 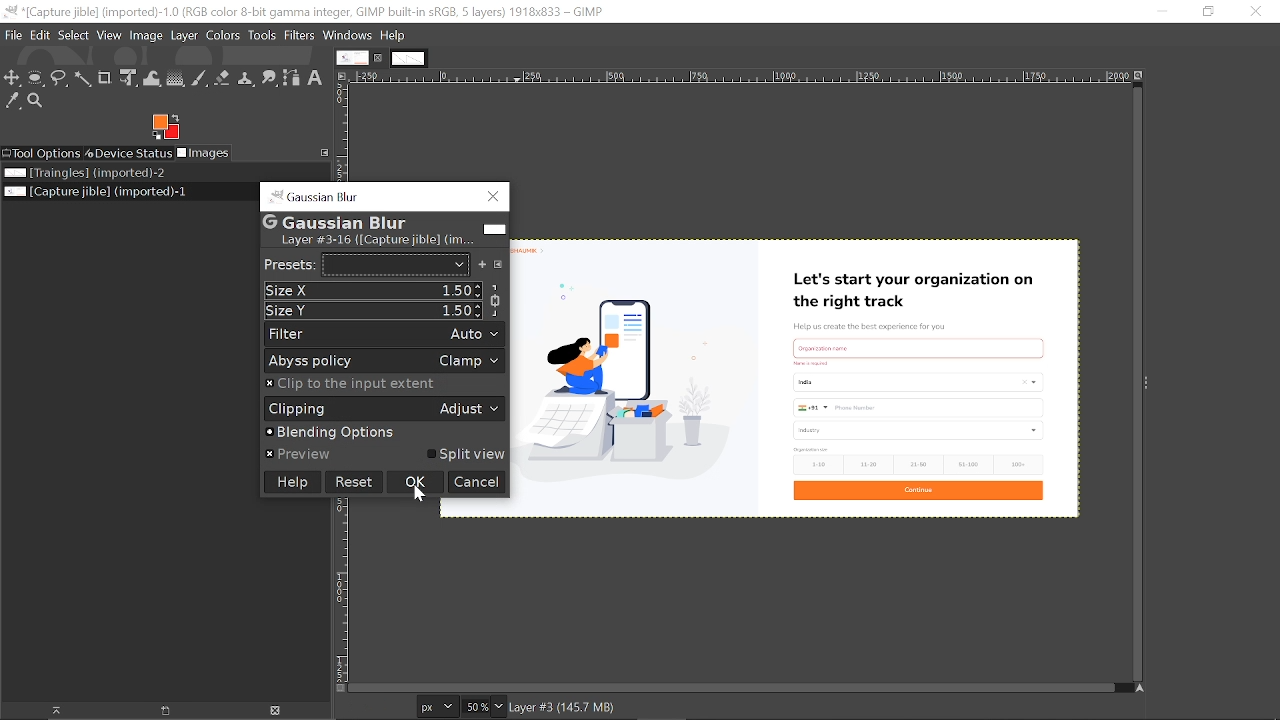 What do you see at coordinates (721, 77) in the screenshot?
I see `Horizontal label` at bounding box center [721, 77].